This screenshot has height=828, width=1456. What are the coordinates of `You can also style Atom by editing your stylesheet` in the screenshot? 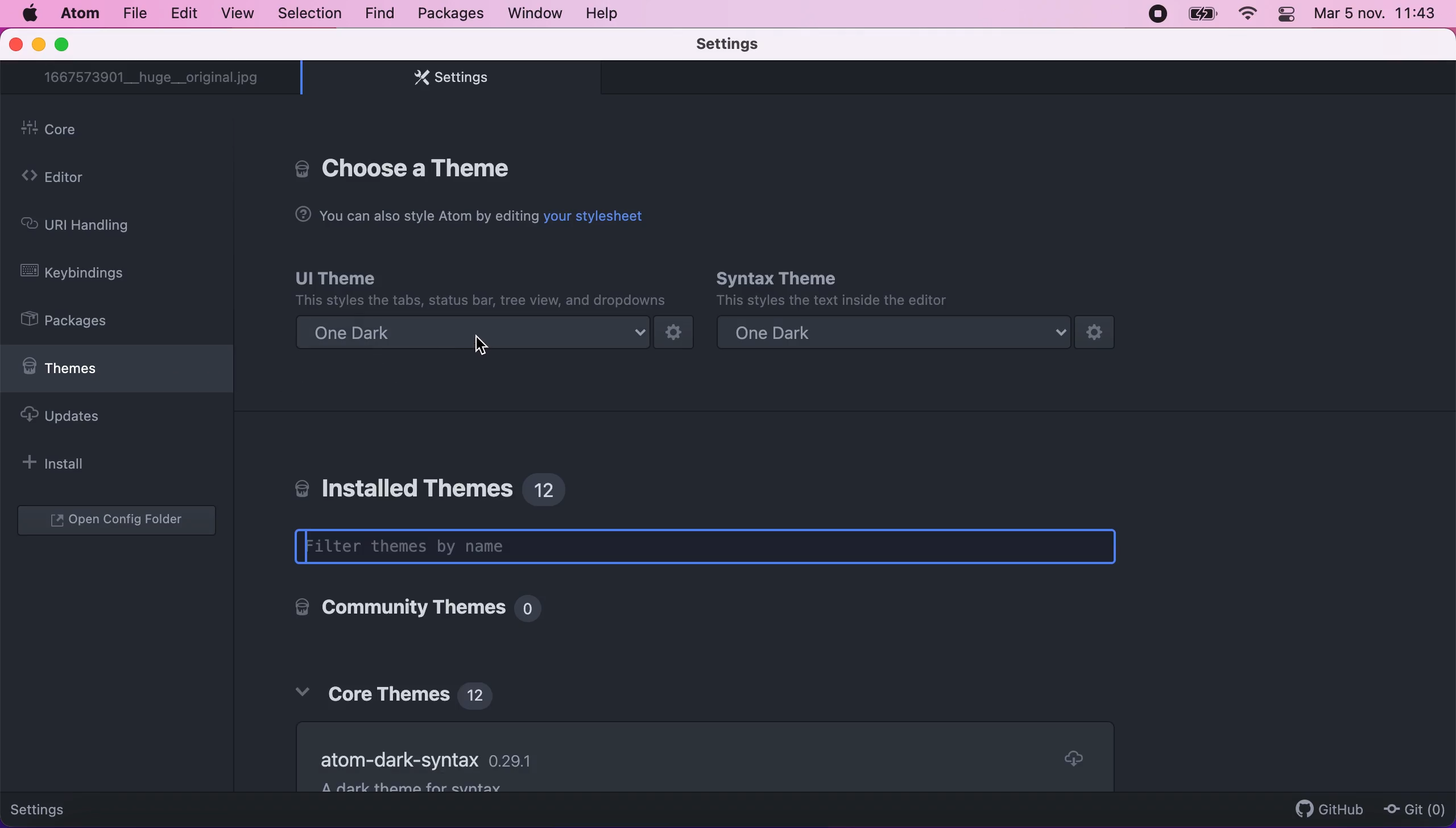 It's located at (469, 216).